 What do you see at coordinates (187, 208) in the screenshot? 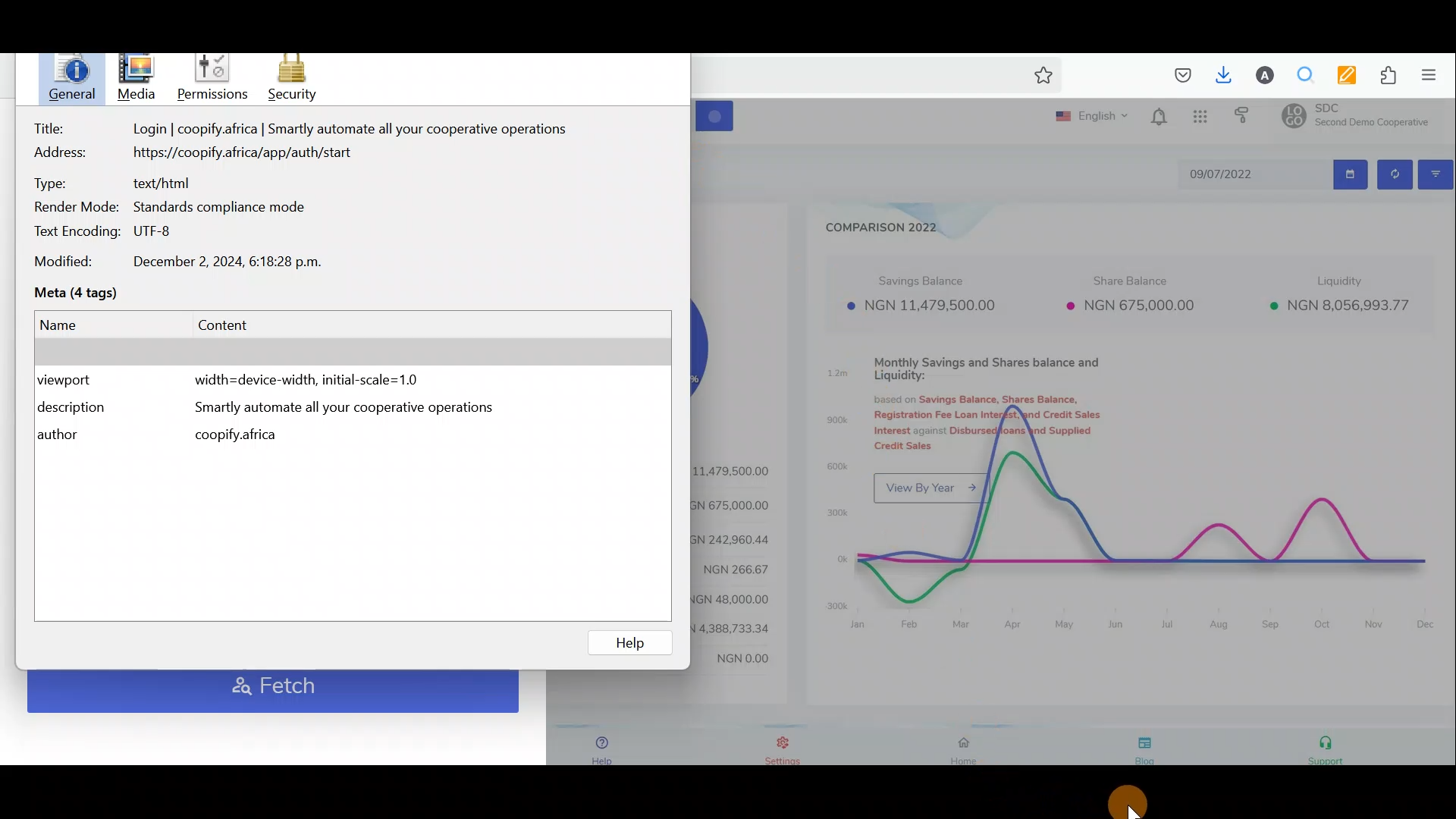
I see `Render mode` at bounding box center [187, 208].